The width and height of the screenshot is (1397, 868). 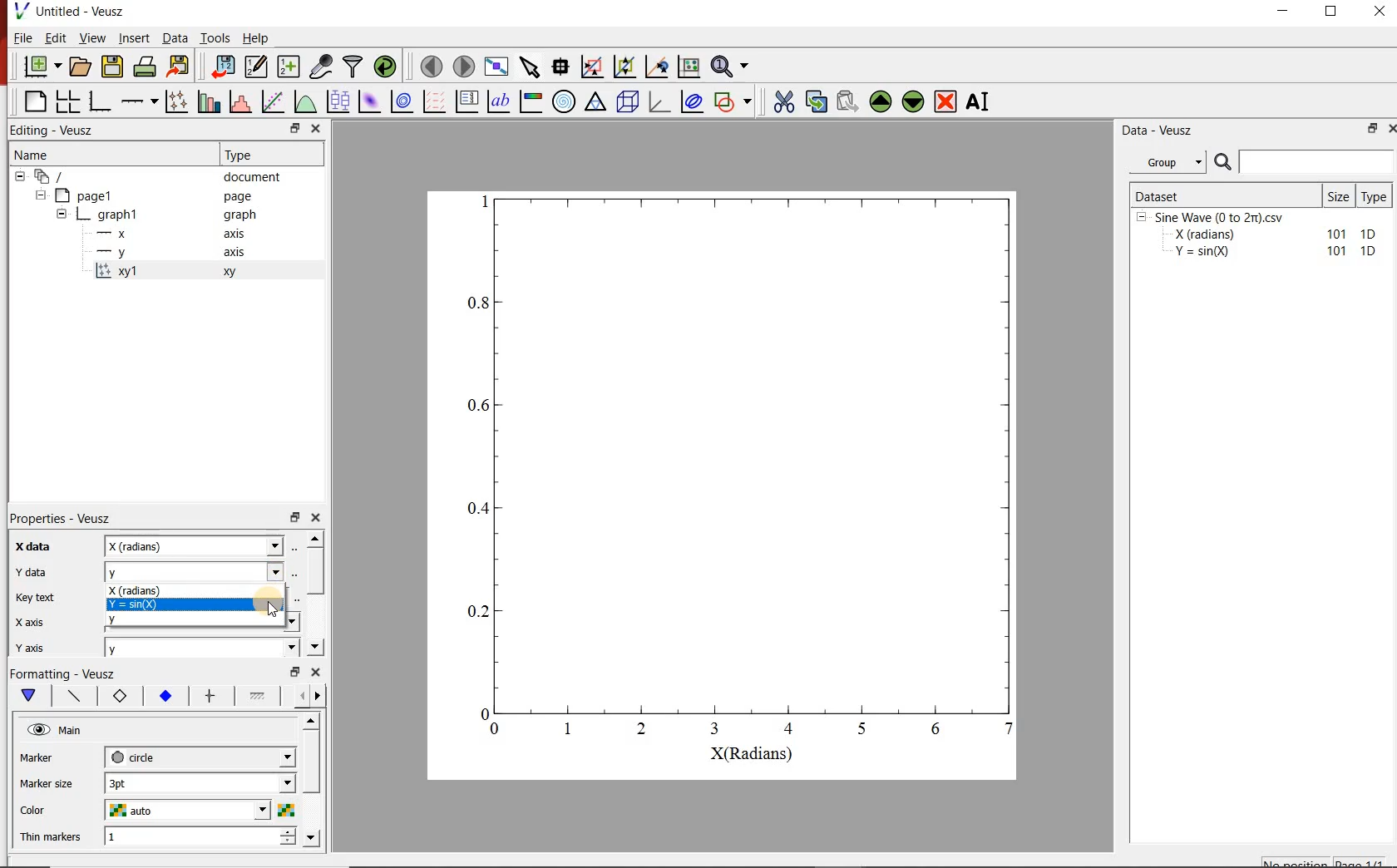 What do you see at coordinates (659, 101) in the screenshot?
I see `3d graph` at bounding box center [659, 101].